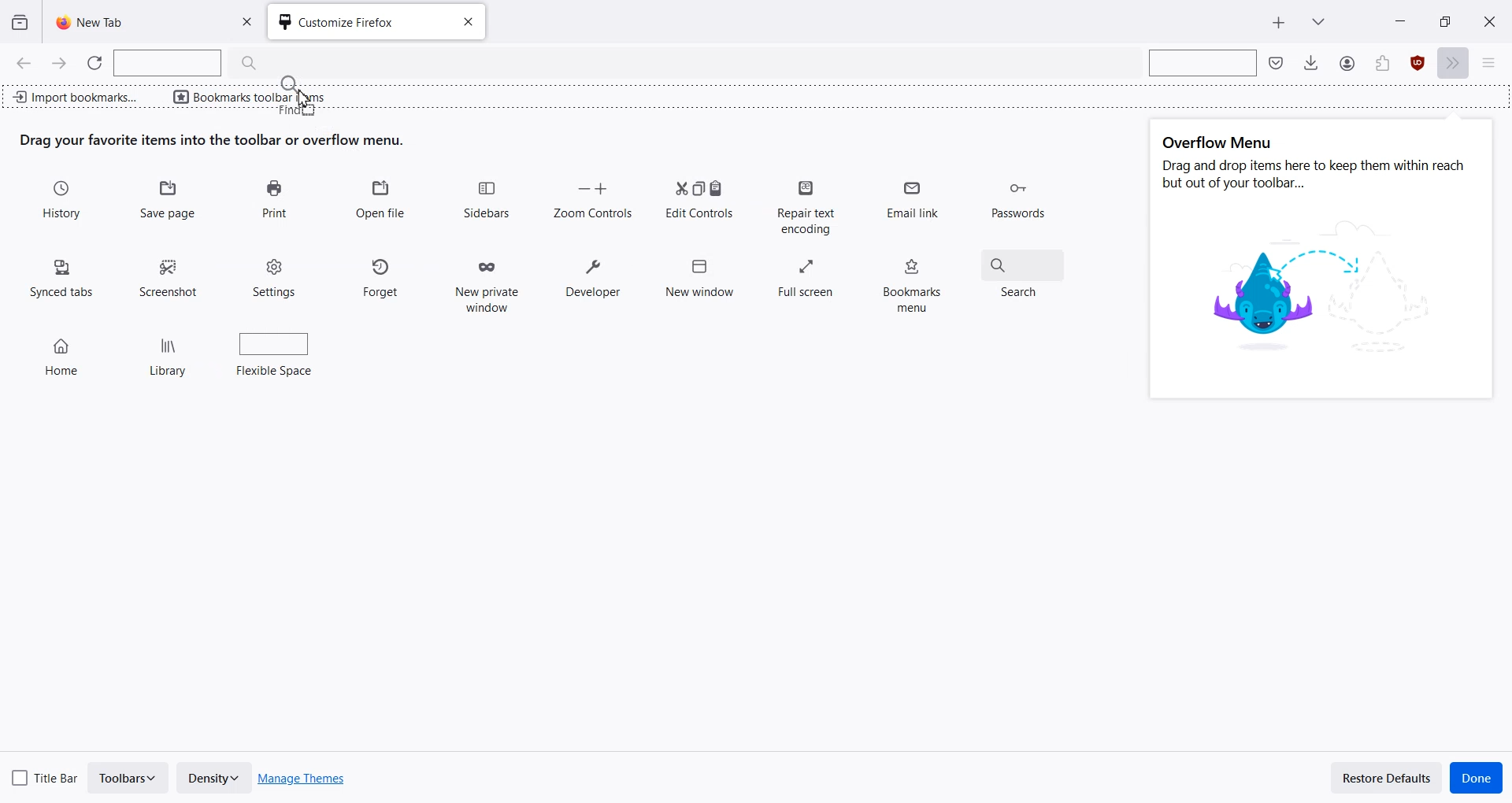  I want to click on Bookmarks toolbar items, so click(239, 95).